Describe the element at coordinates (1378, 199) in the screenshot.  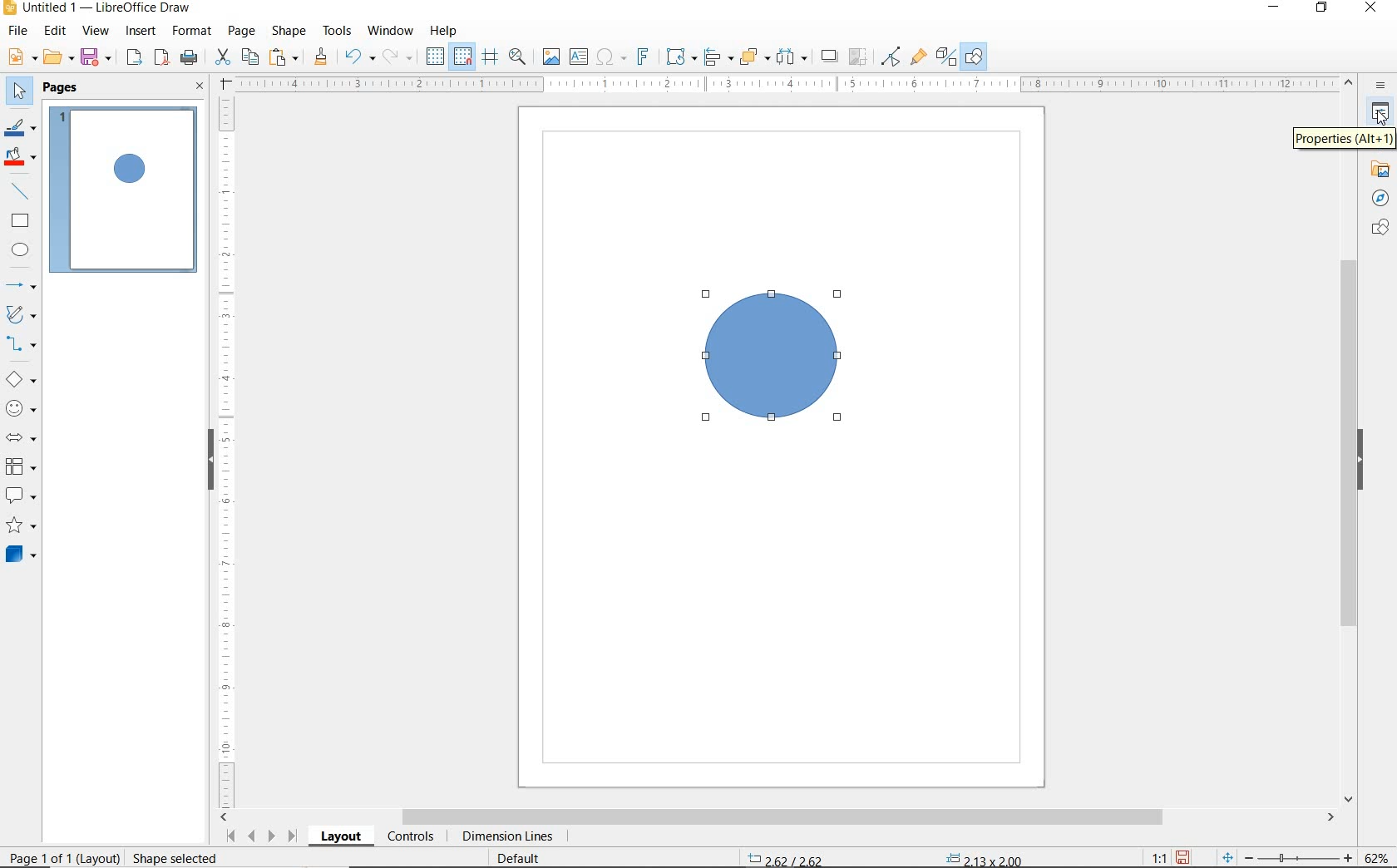
I see `NAVIGATOR` at that location.